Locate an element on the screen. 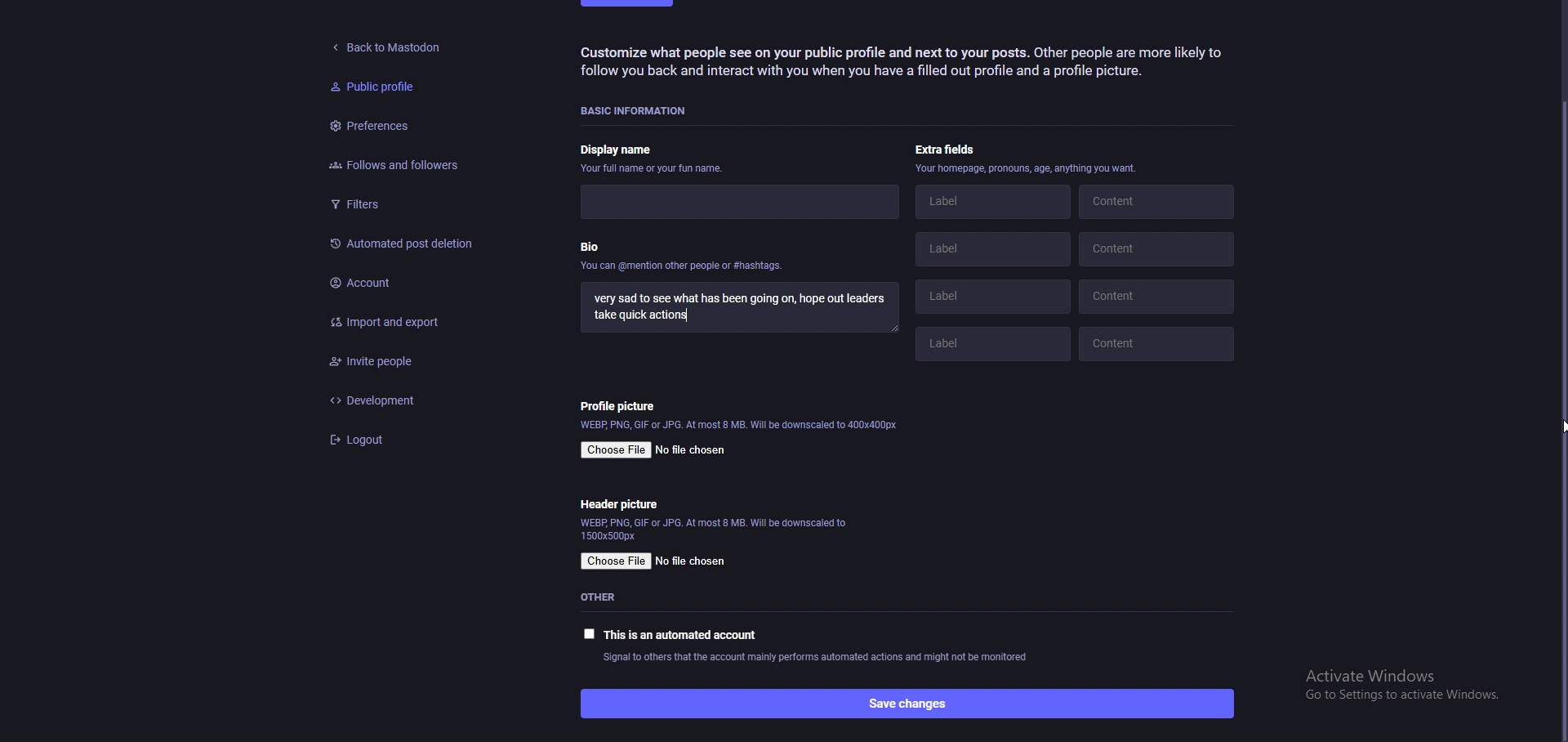  header picture is located at coordinates (621, 504).